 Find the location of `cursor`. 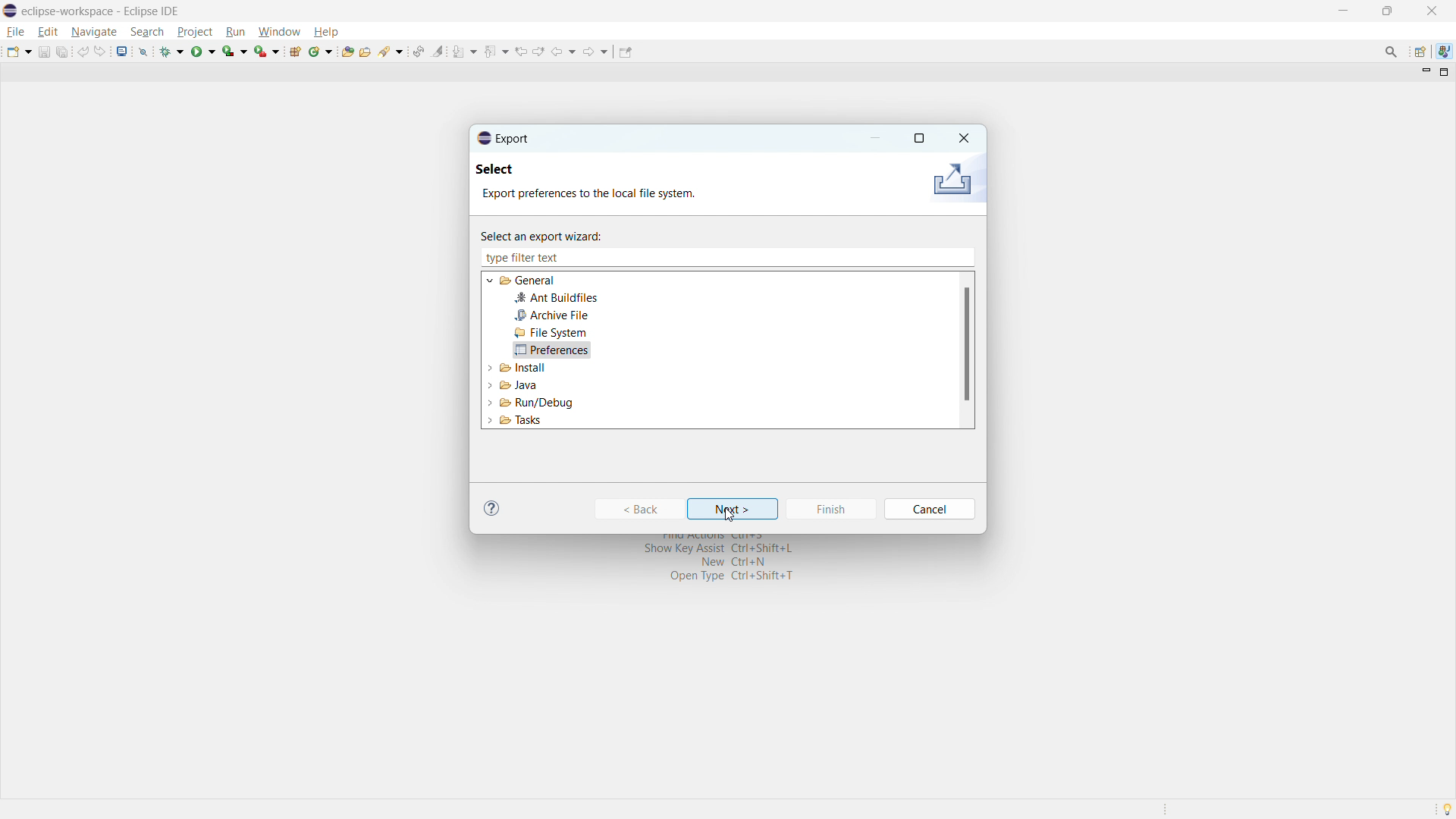

cursor is located at coordinates (730, 516).